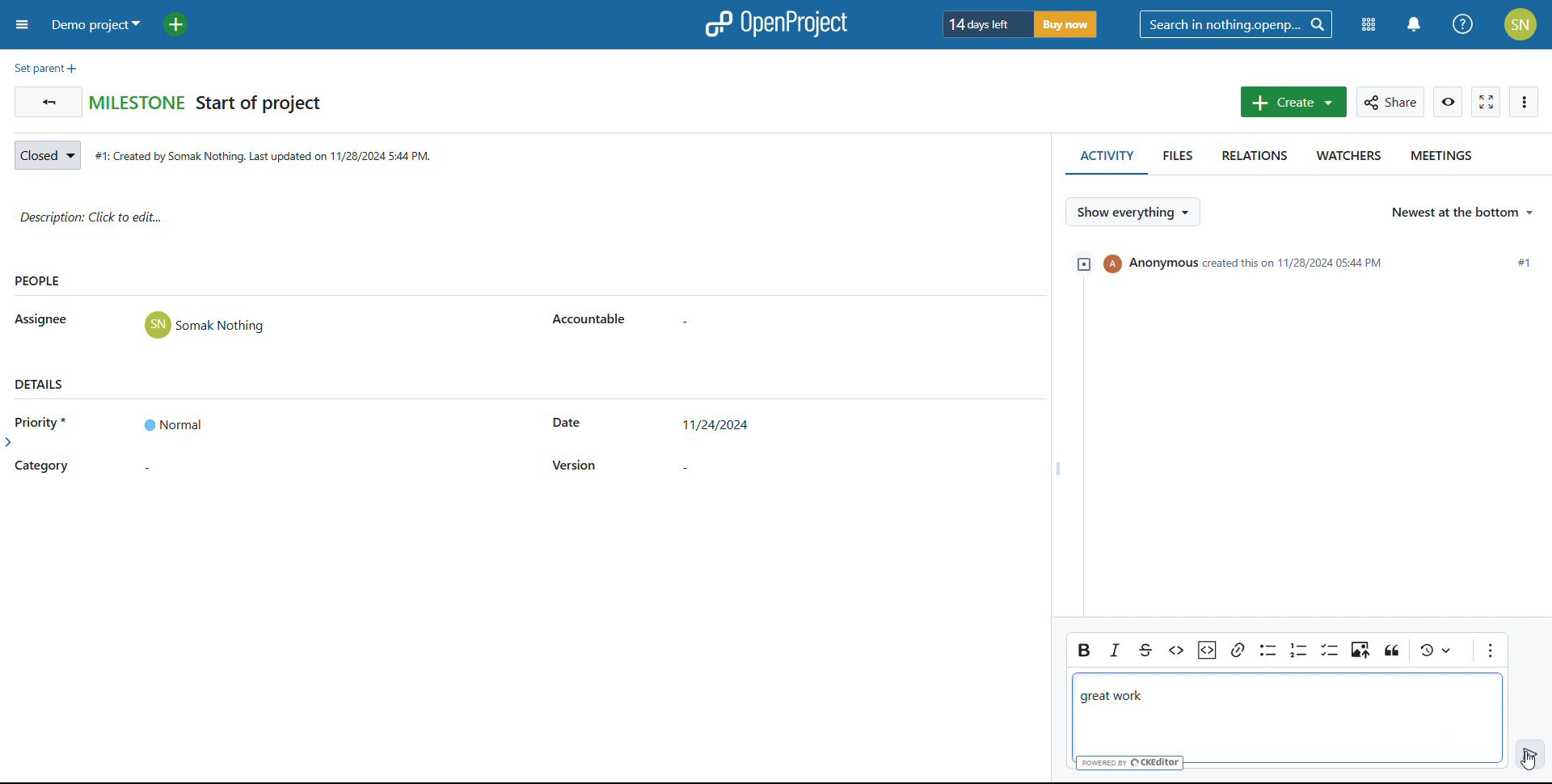 The height and width of the screenshot is (784, 1552). I want to click on notifications, so click(1415, 24).